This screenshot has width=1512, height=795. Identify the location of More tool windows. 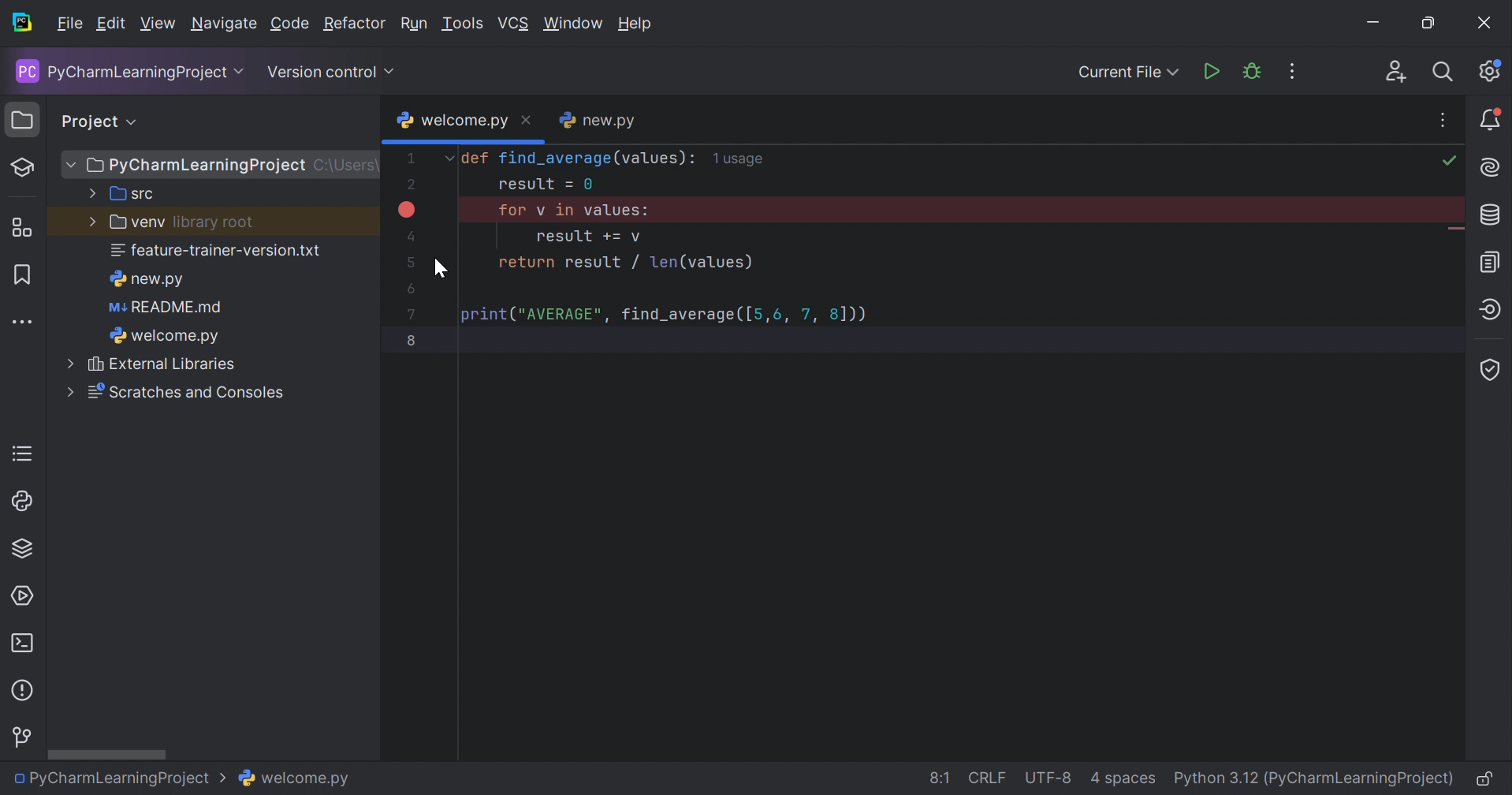
(24, 323).